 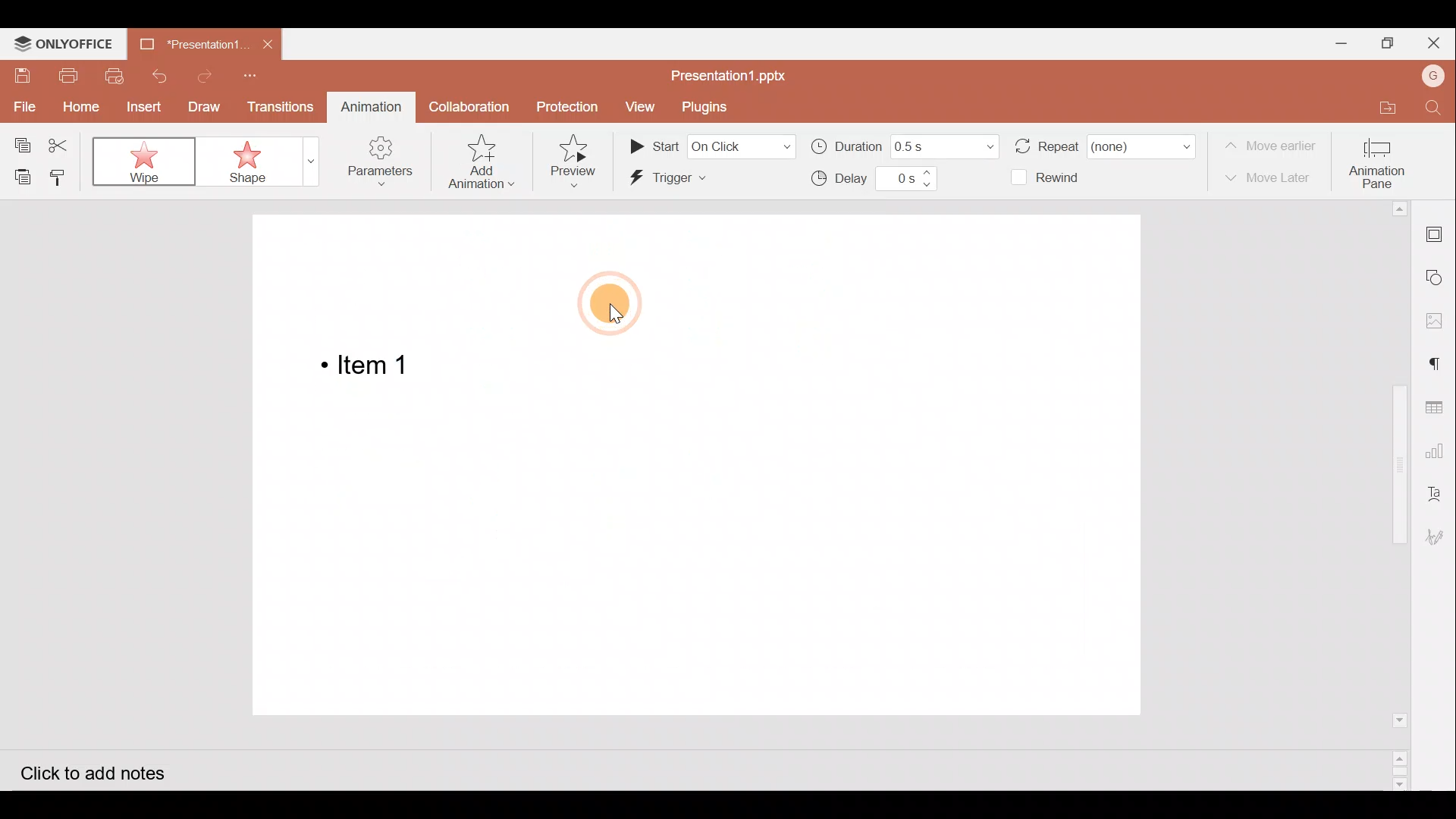 I want to click on Print file, so click(x=67, y=73).